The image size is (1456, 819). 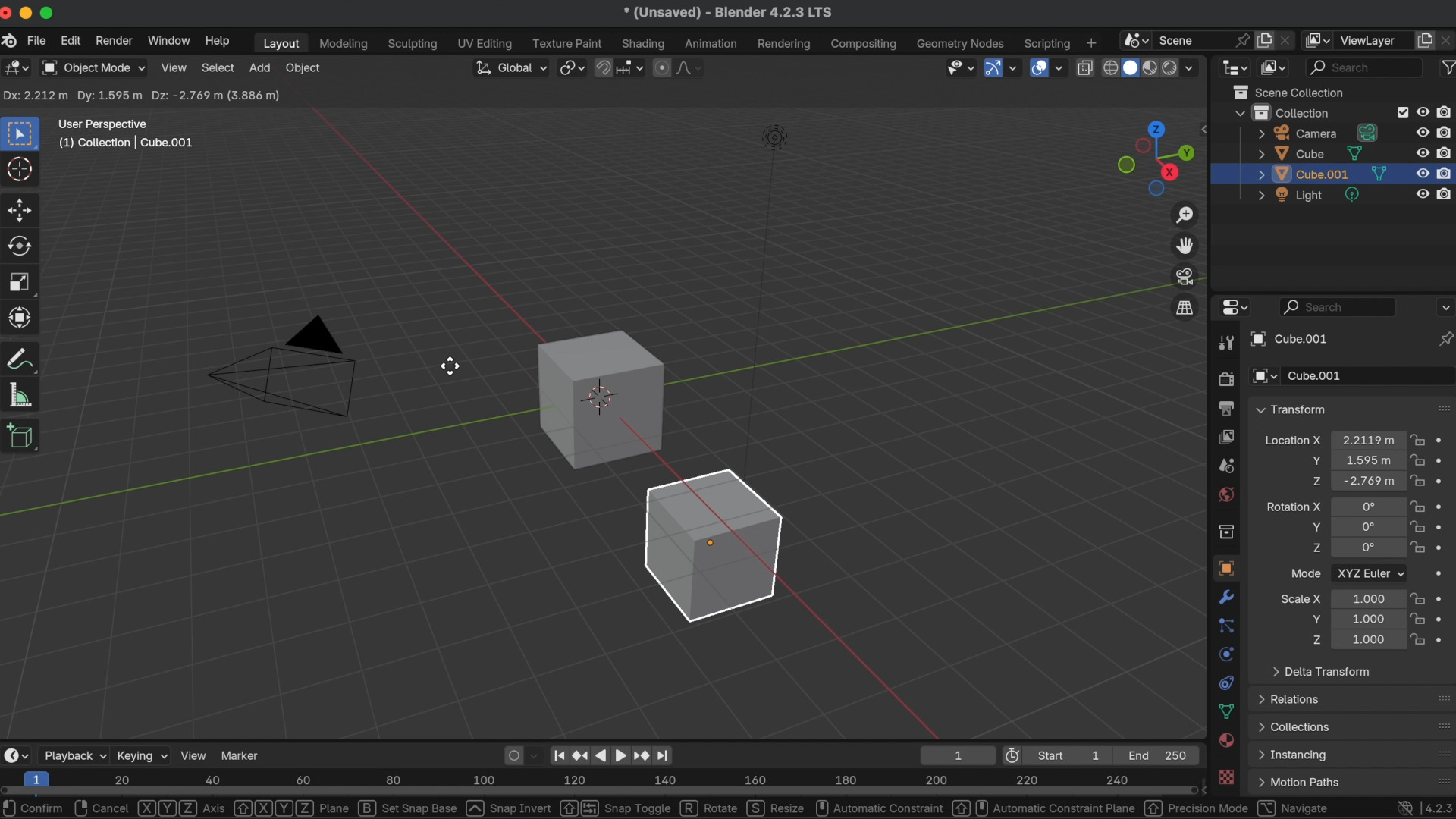 I want to click on animate property, so click(x=1444, y=481).